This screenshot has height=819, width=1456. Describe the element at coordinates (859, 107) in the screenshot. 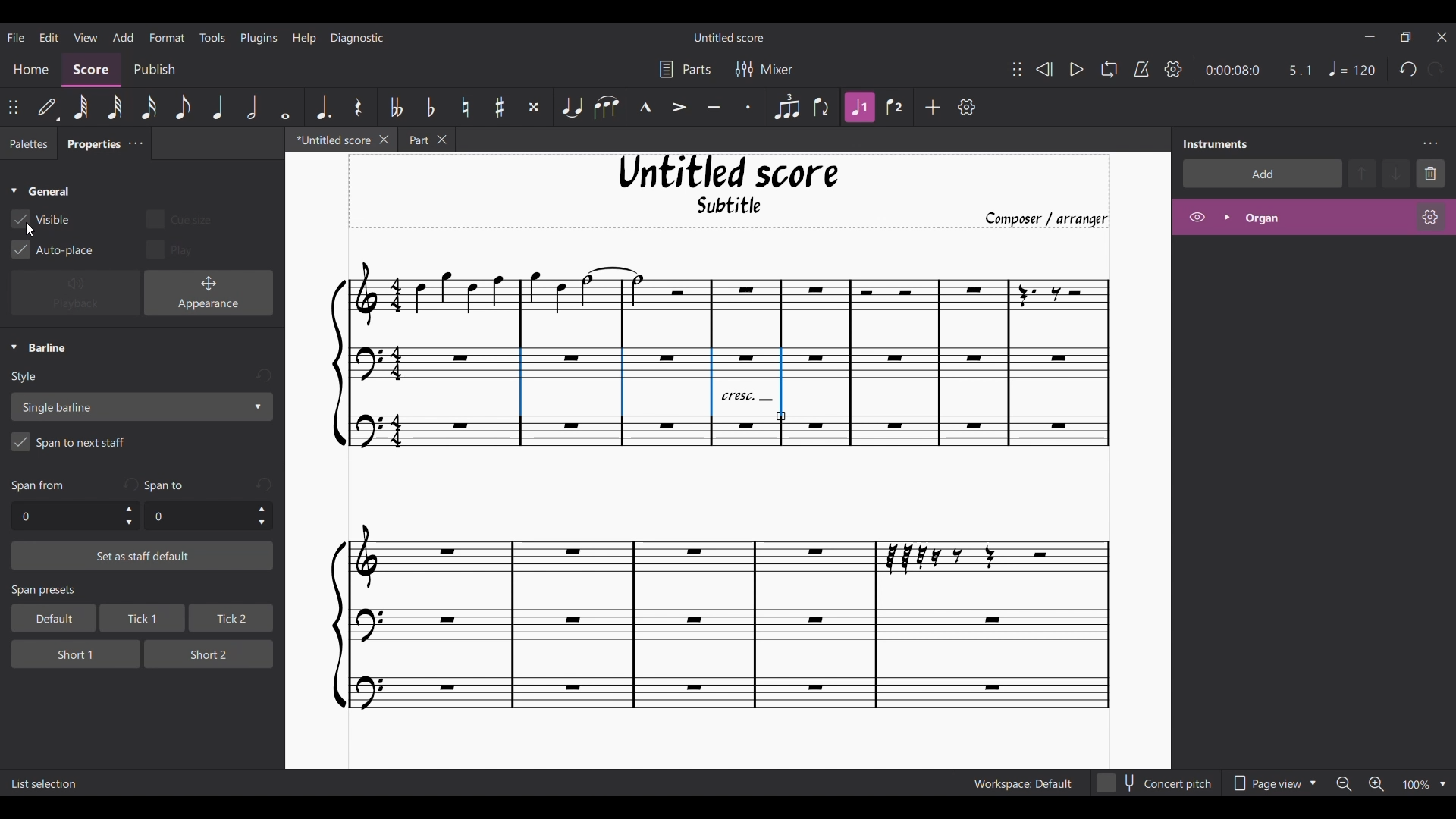

I see `Highlighted due to current selection` at that location.